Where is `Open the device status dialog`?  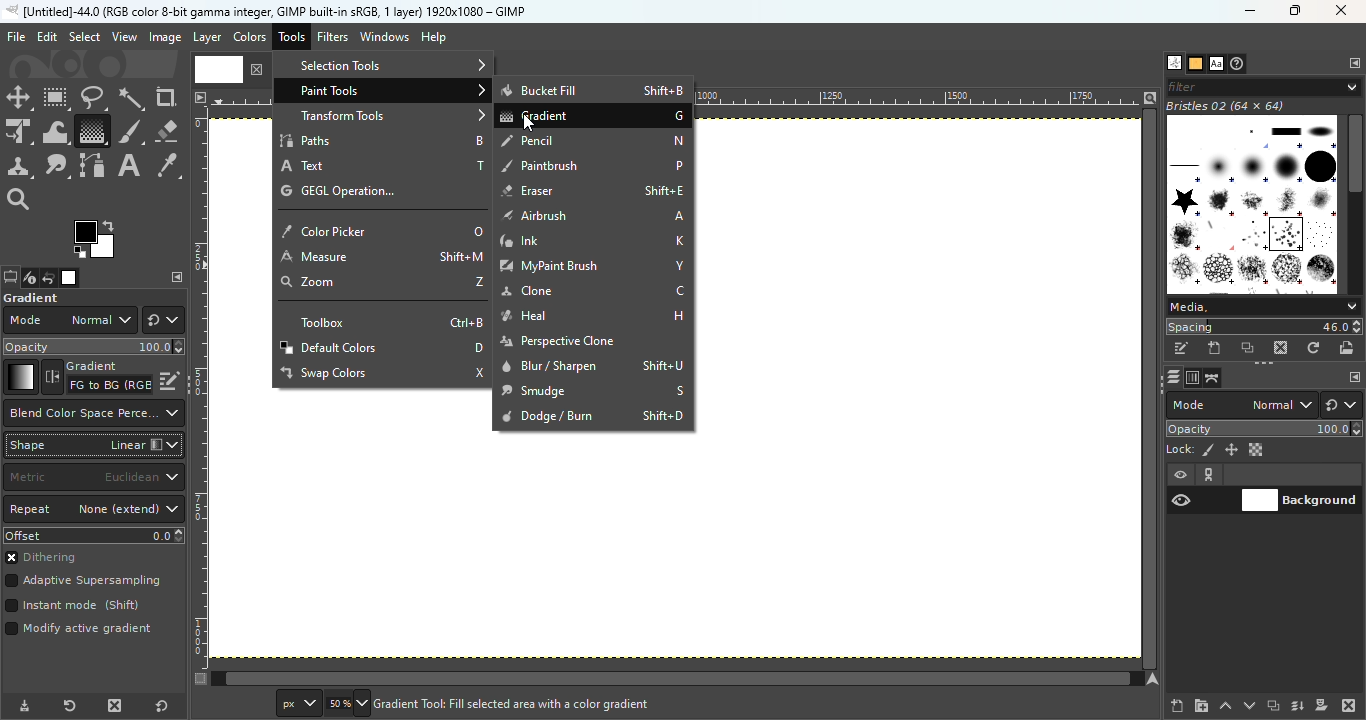 Open the device status dialog is located at coordinates (28, 279).